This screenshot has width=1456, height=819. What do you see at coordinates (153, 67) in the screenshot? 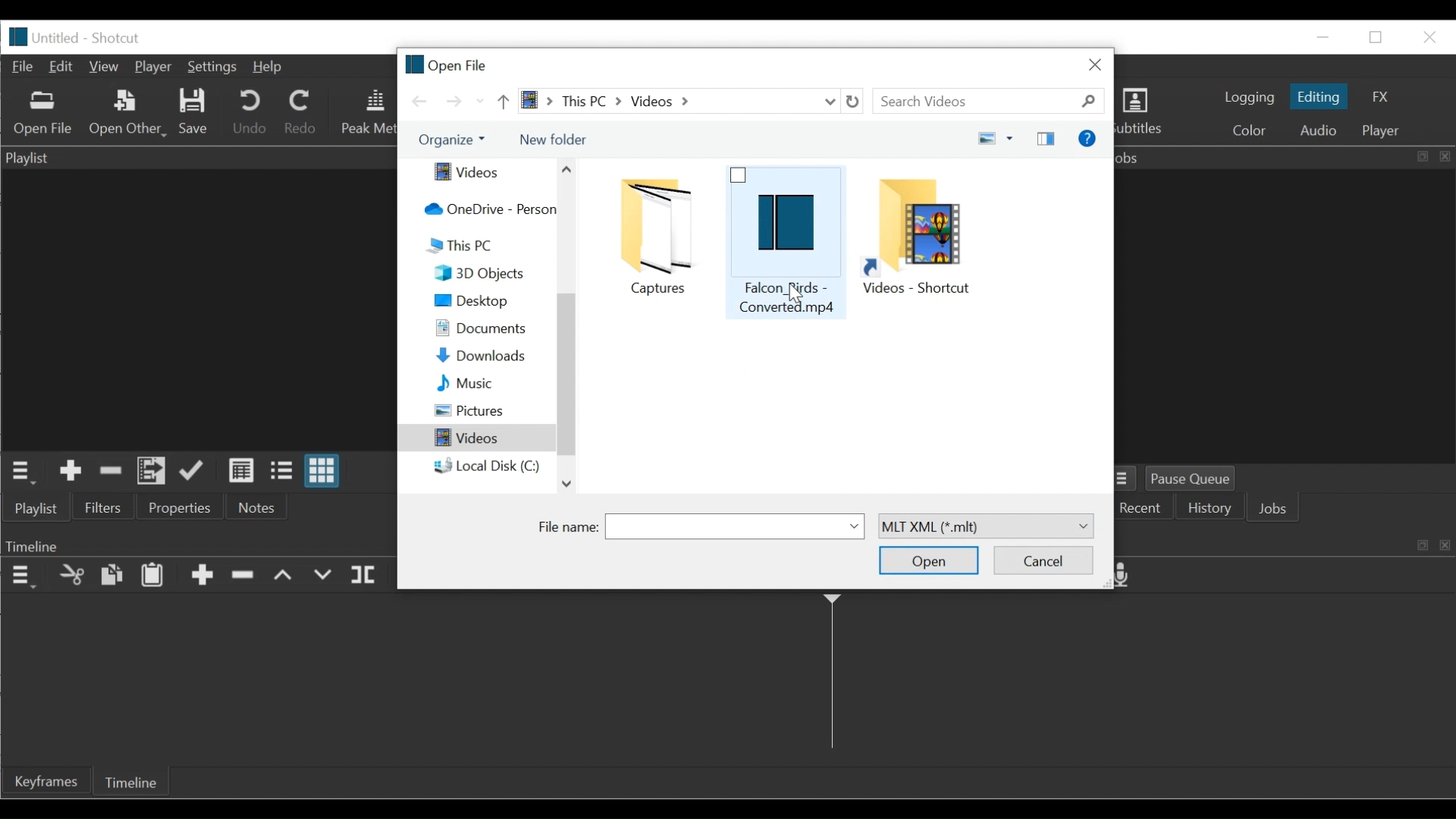
I see `Player` at bounding box center [153, 67].